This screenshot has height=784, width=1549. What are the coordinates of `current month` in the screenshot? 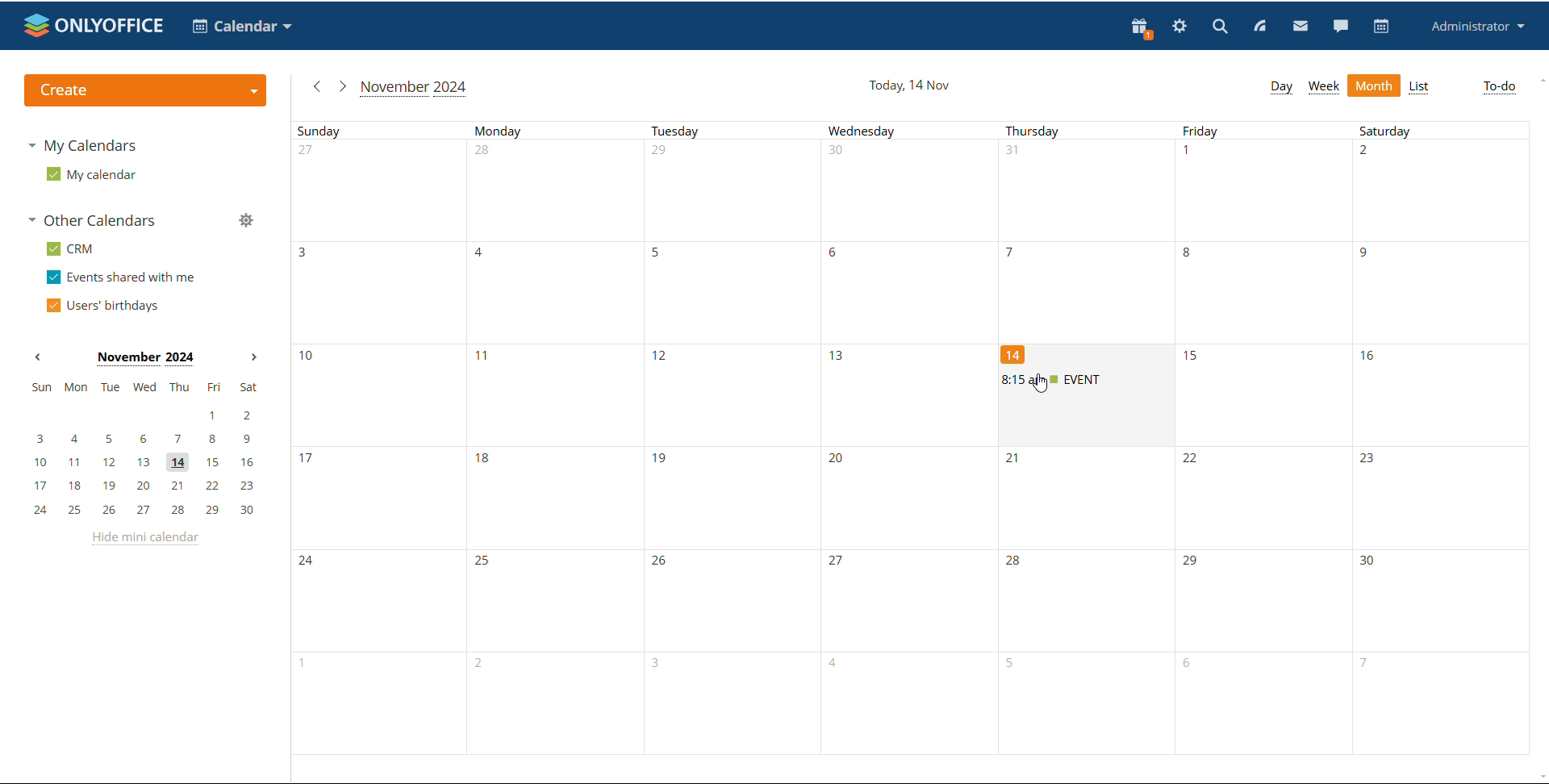 It's located at (415, 88).